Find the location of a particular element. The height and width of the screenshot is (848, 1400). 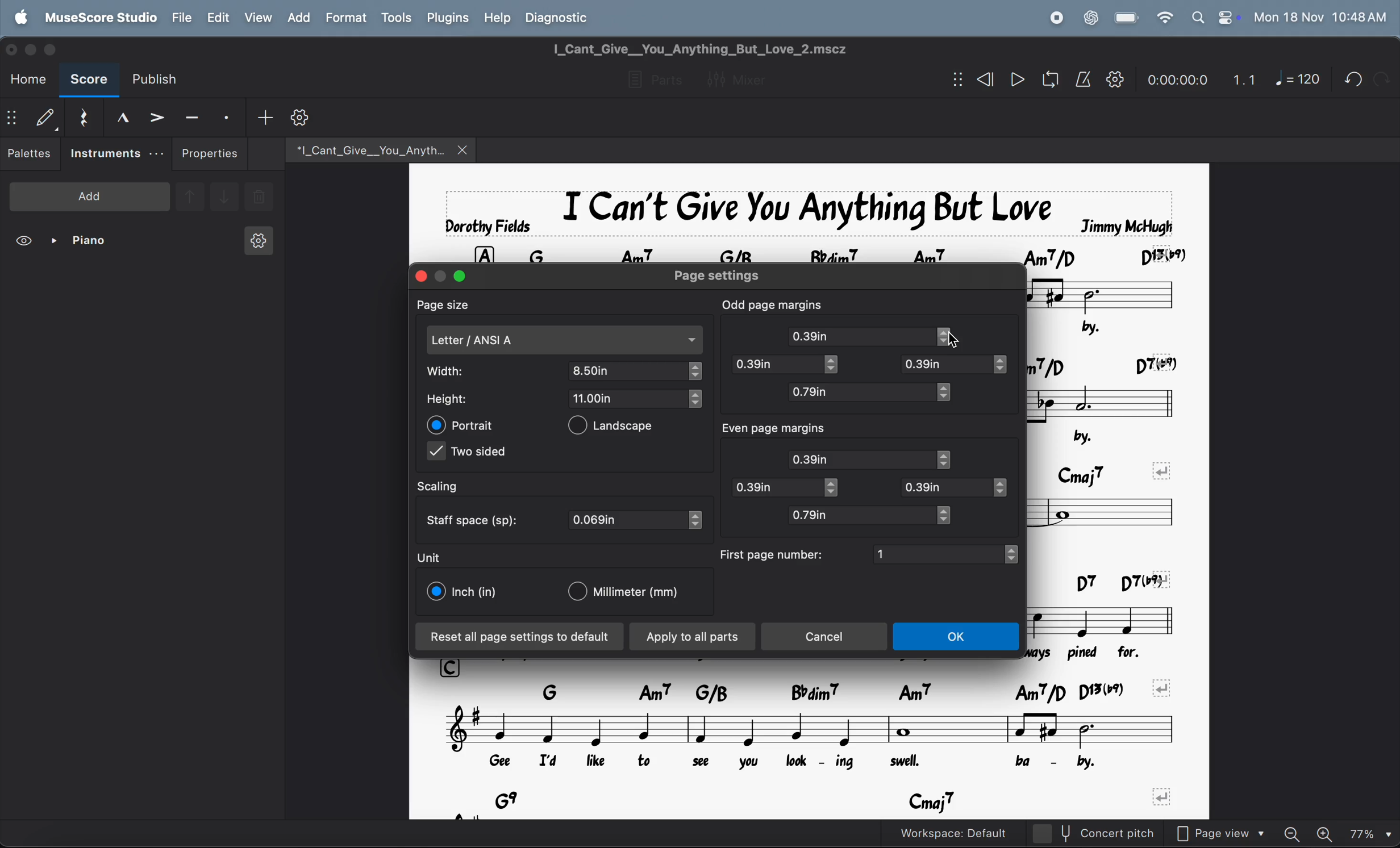

parts is located at coordinates (651, 81).